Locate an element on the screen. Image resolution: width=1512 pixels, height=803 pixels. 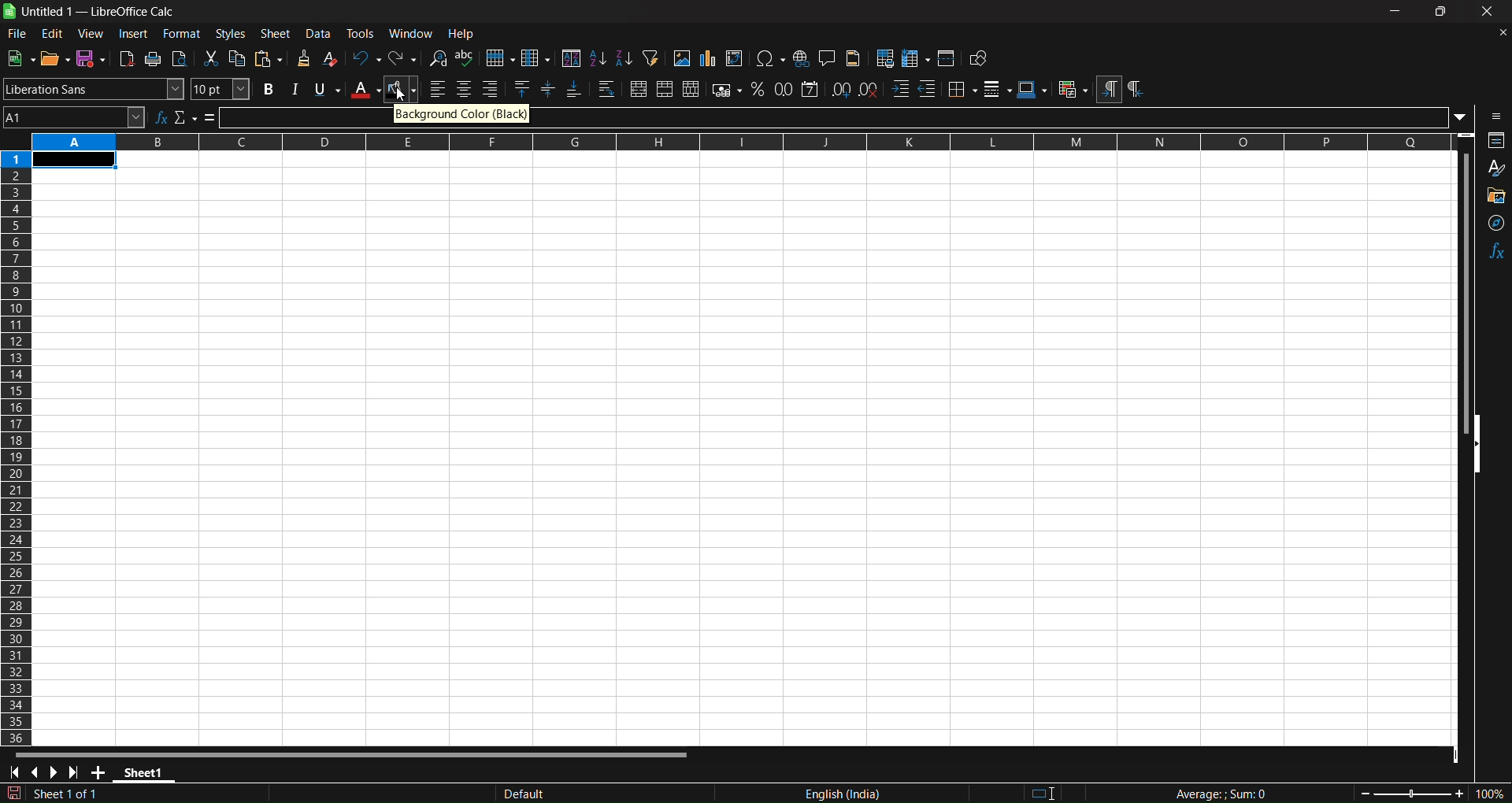
The document has been modified. Click to save. is located at coordinates (57, 794).